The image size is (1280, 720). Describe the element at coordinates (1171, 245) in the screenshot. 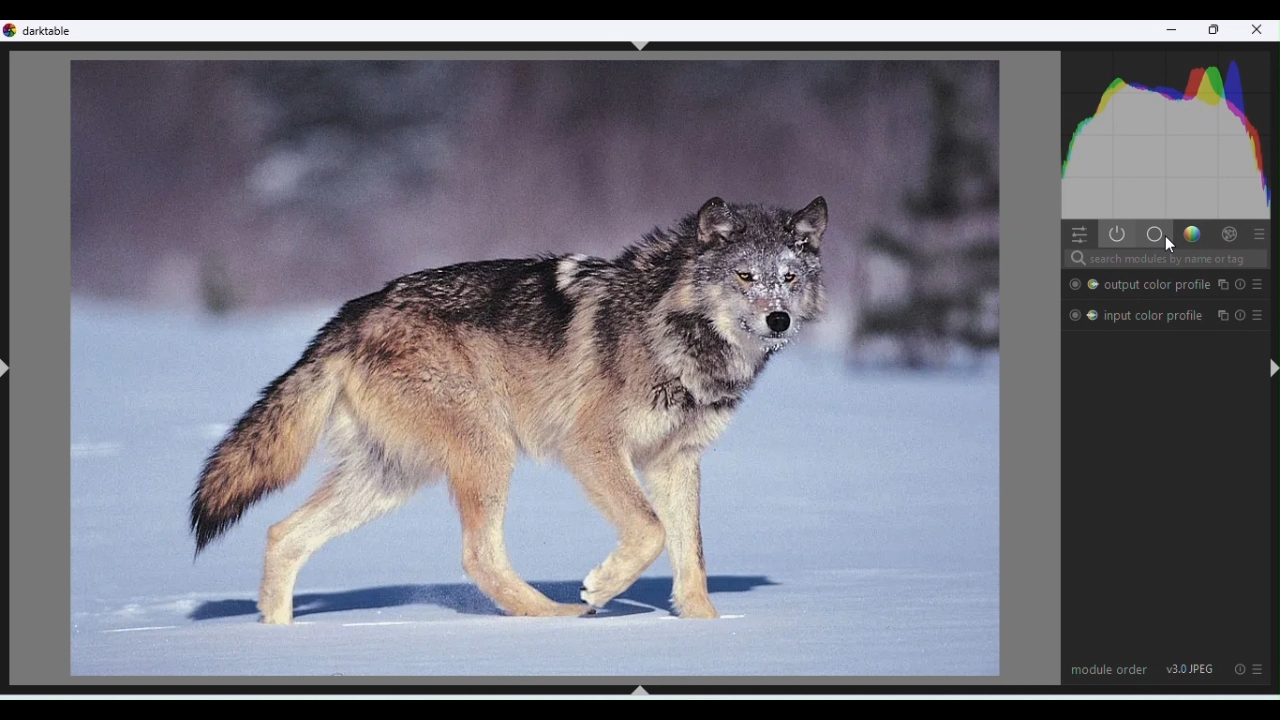

I see `cursor` at that location.